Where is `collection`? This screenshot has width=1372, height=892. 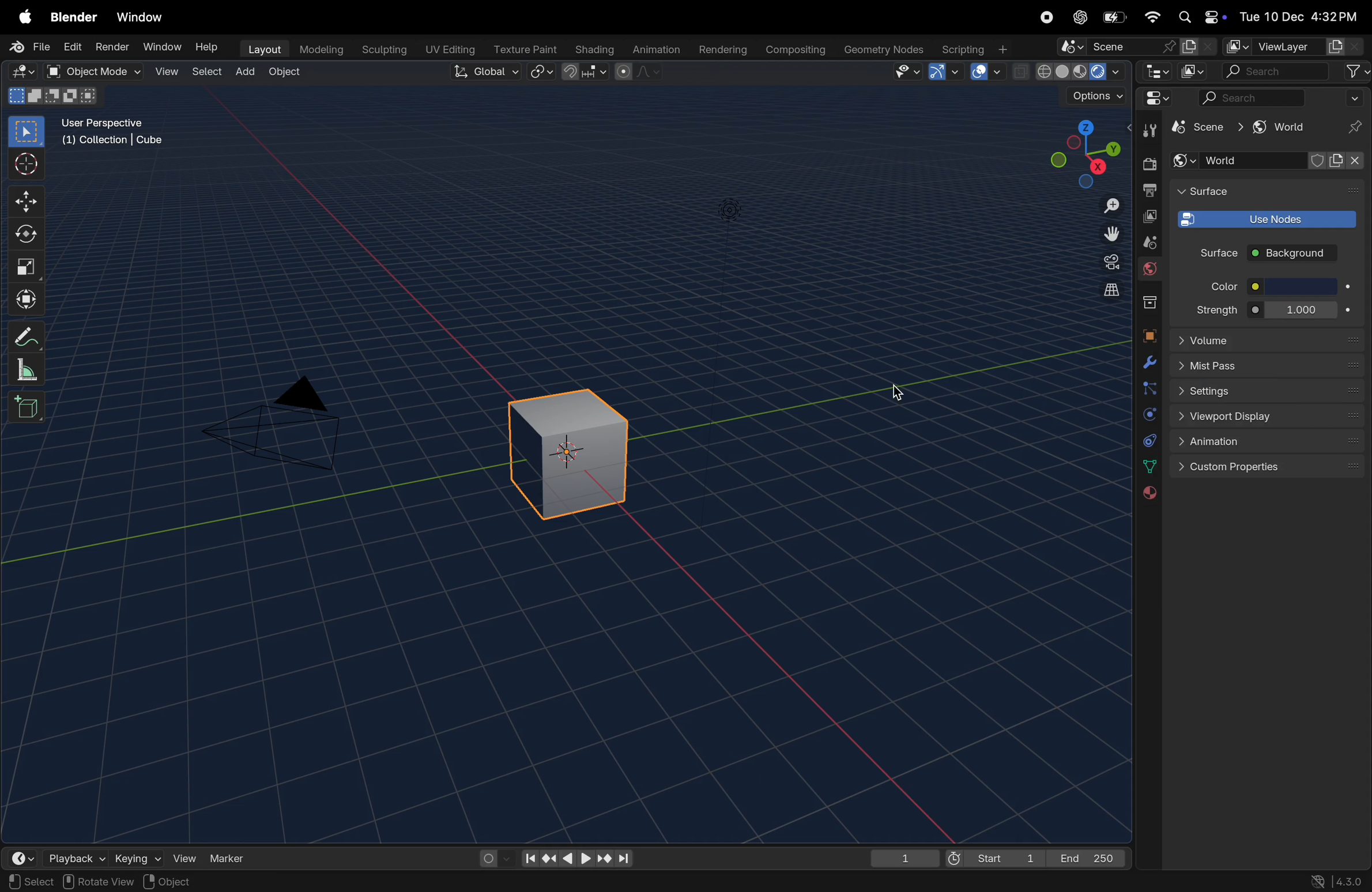
collection is located at coordinates (1146, 302).